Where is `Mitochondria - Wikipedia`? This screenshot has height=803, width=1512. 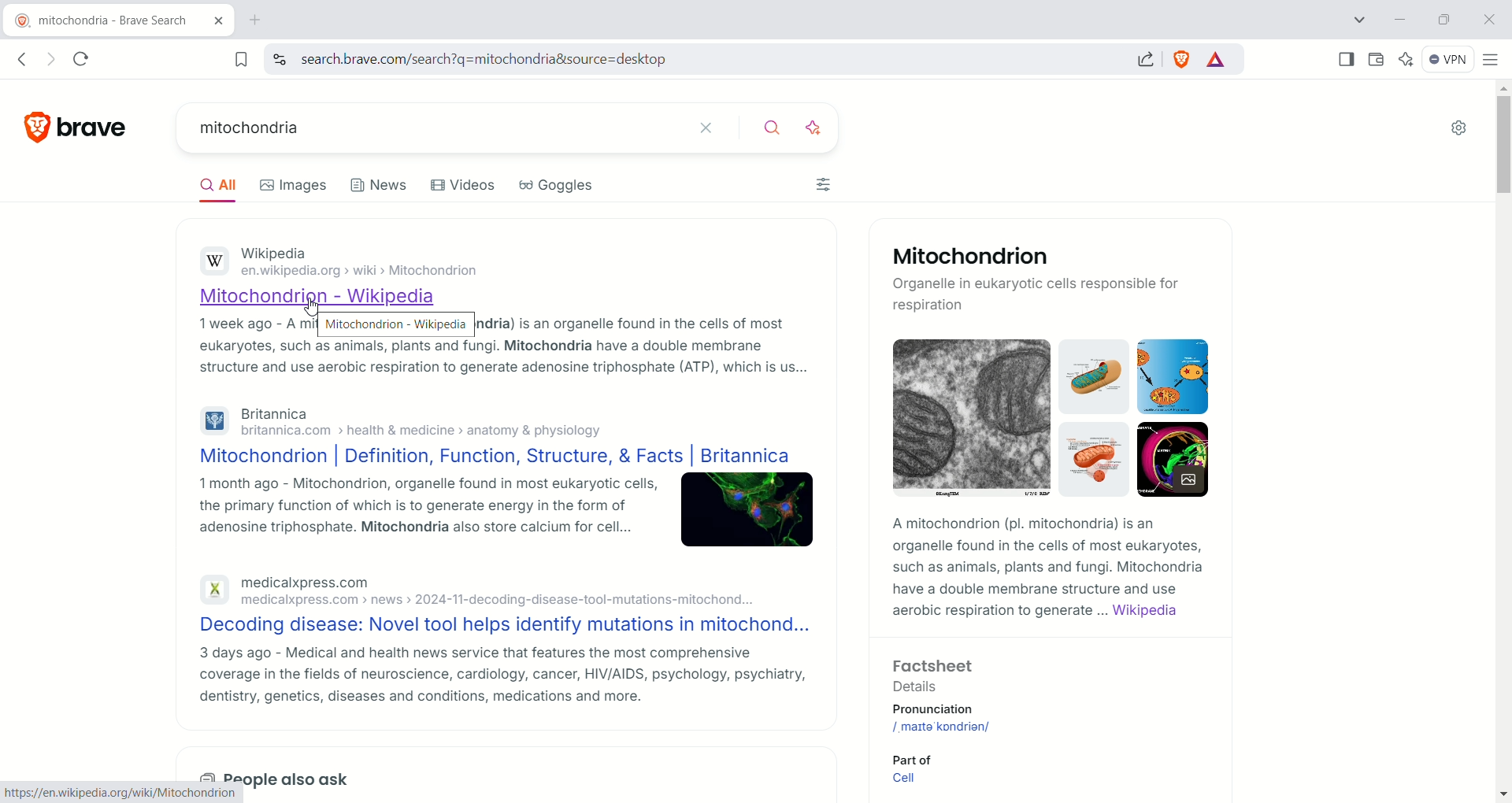 Mitochondria - Wikipedia is located at coordinates (396, 325).